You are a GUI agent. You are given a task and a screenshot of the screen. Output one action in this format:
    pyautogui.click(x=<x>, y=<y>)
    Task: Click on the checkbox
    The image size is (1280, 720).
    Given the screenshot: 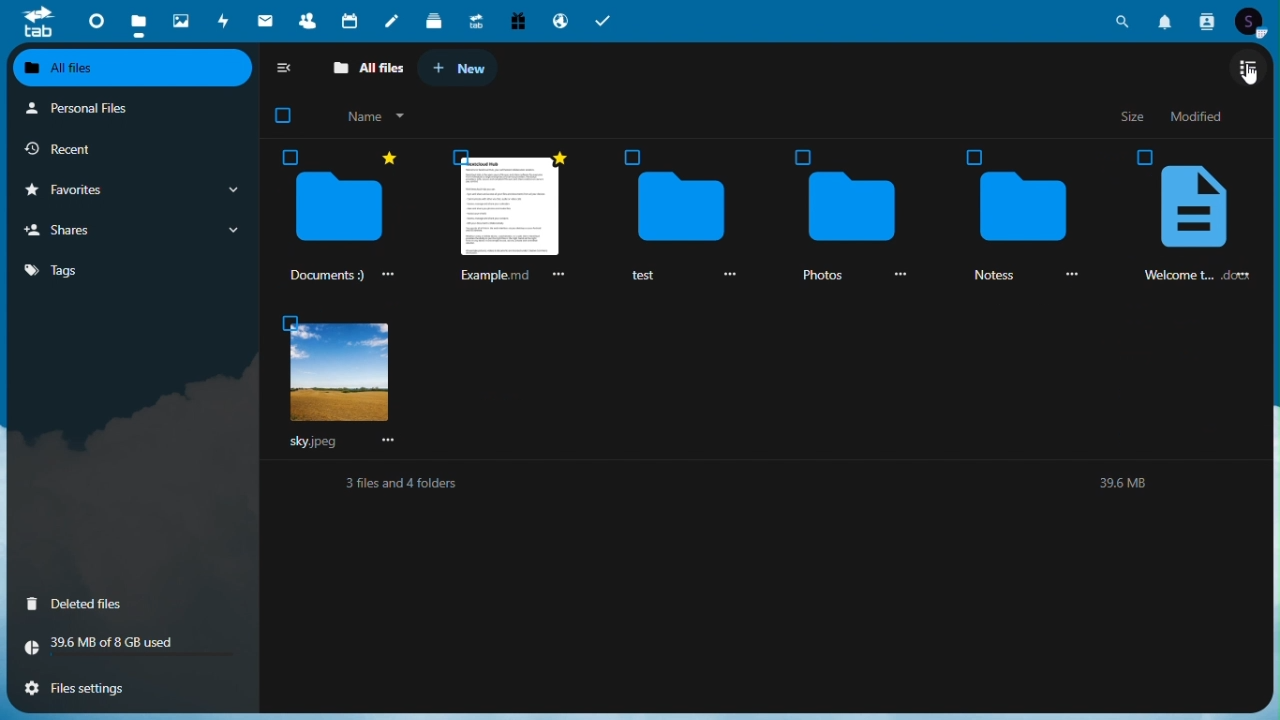 What is the action you would take?
    pyautogui.click(x=291, y=157)
    